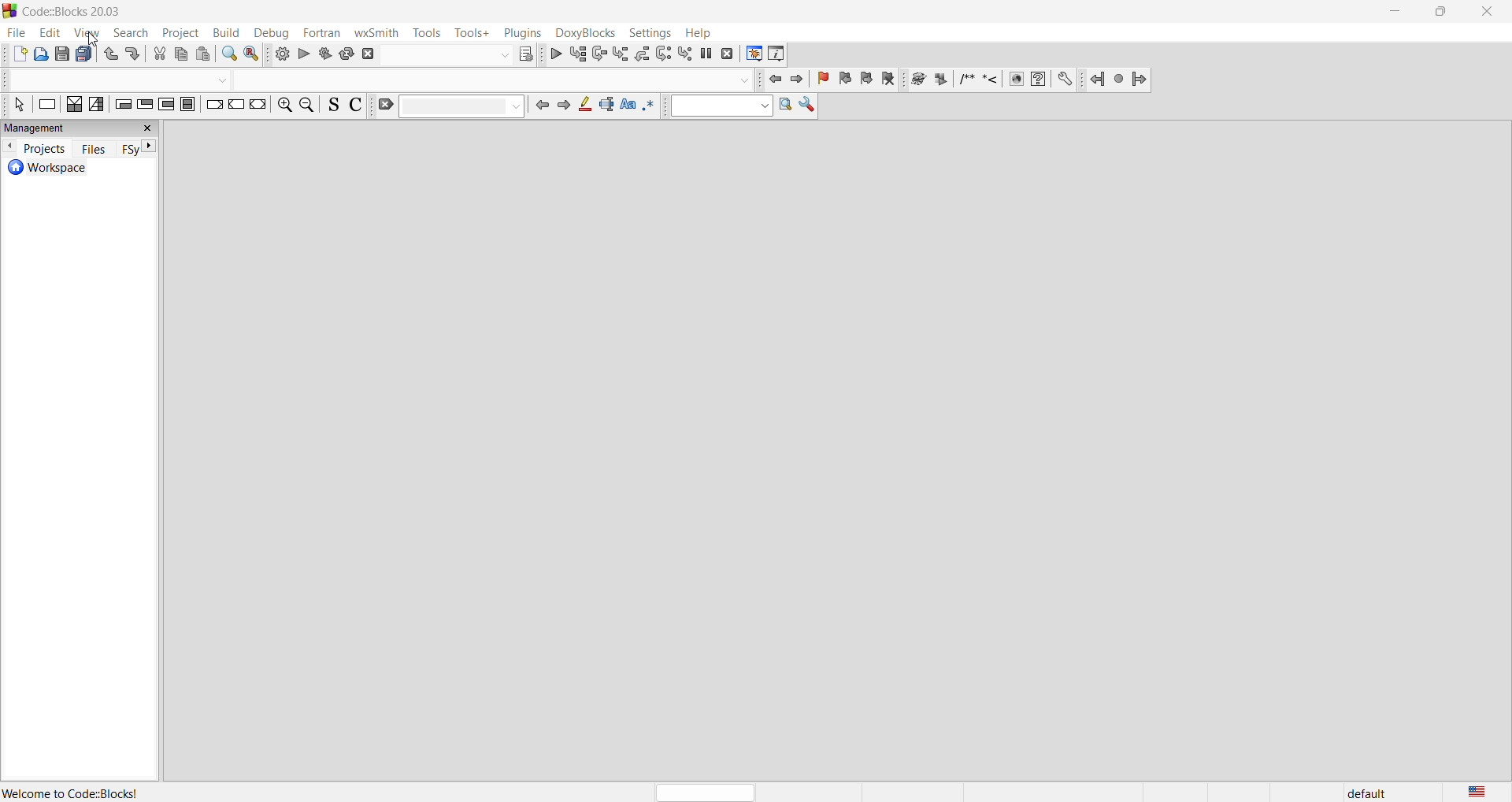  What do you see at coordinates (64, 56) in the screenshot?
I see `save` at bounding box center [64, 56].